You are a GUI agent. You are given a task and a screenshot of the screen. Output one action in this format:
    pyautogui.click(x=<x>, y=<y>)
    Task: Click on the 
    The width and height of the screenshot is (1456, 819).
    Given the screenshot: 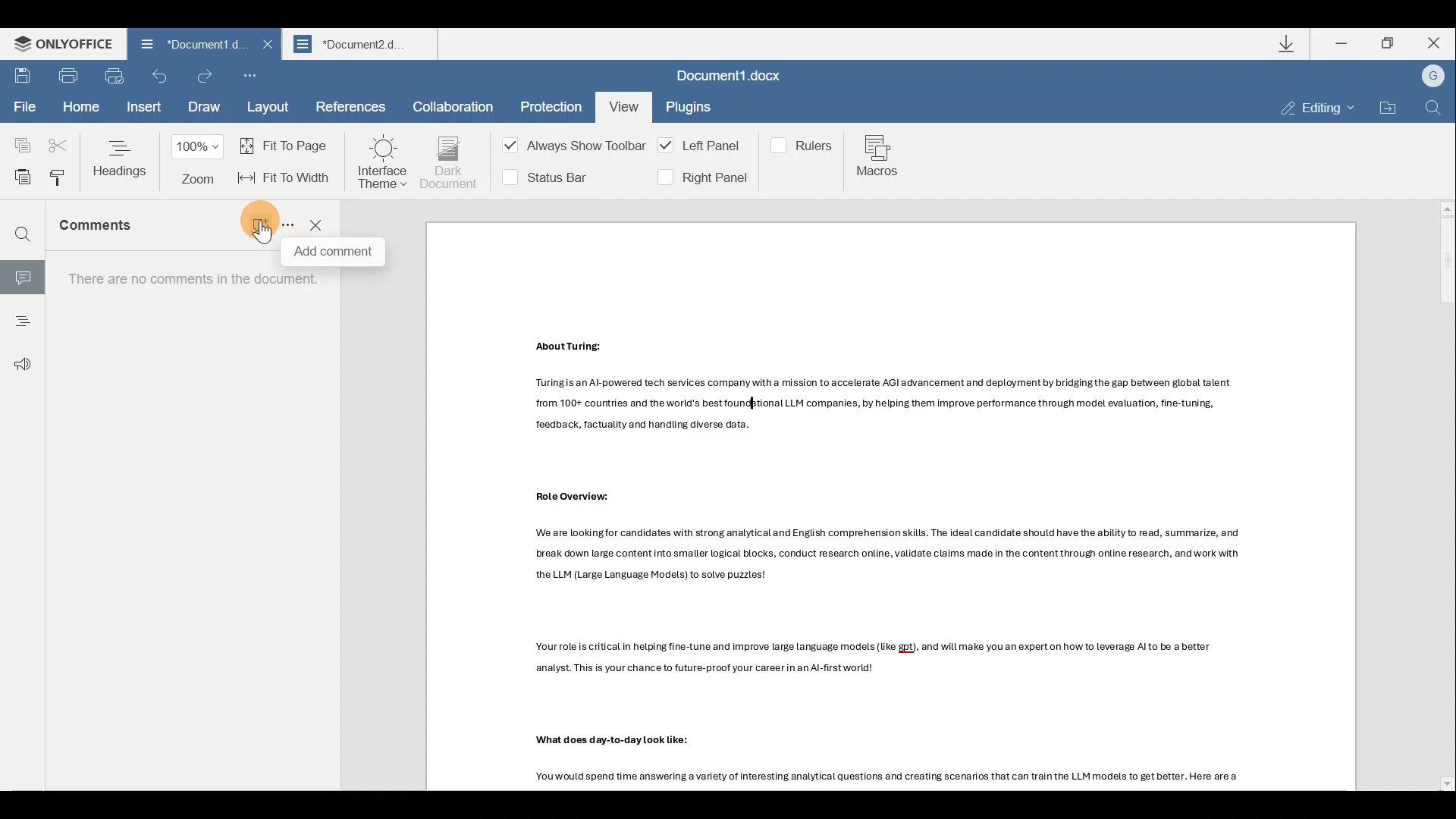 What is the action you would take?
    pyautogui.click(x=872, y=659)
    